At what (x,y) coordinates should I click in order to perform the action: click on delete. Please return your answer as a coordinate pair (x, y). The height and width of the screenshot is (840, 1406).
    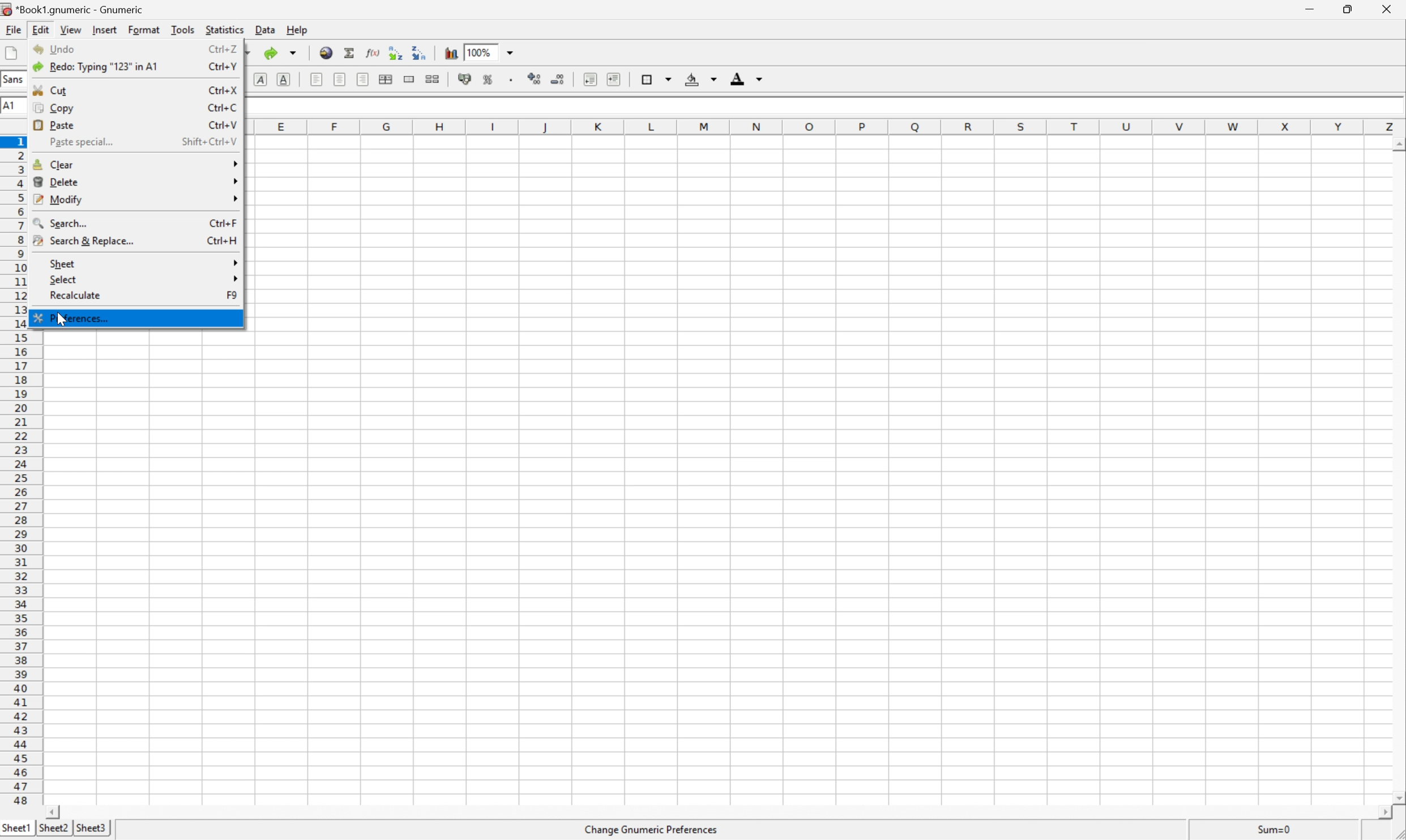
    Looking at the image, I should click on (135, 181).